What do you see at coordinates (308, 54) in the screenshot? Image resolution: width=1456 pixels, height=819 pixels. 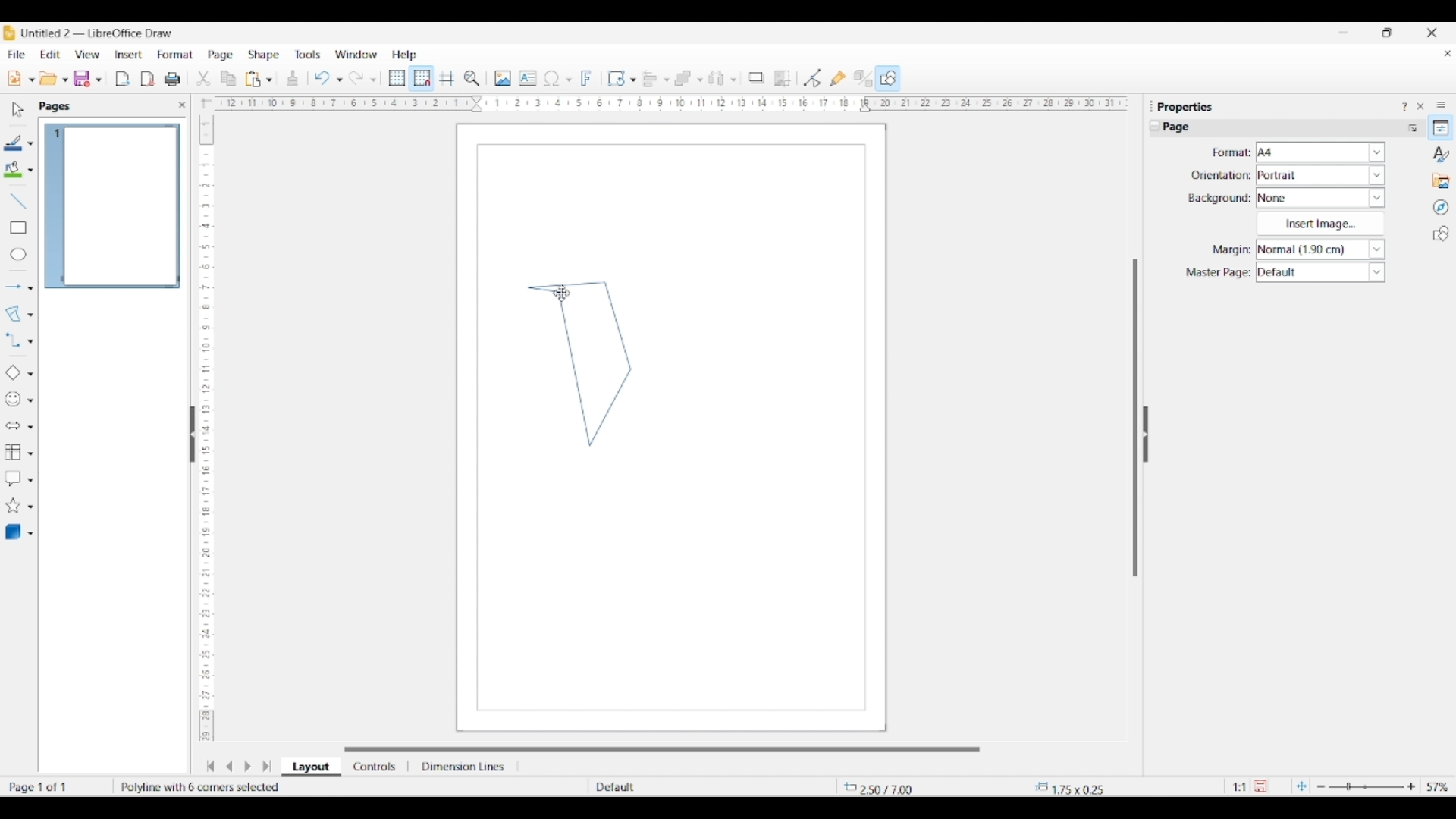 I see `Tools` at bounding box center [308, 54].